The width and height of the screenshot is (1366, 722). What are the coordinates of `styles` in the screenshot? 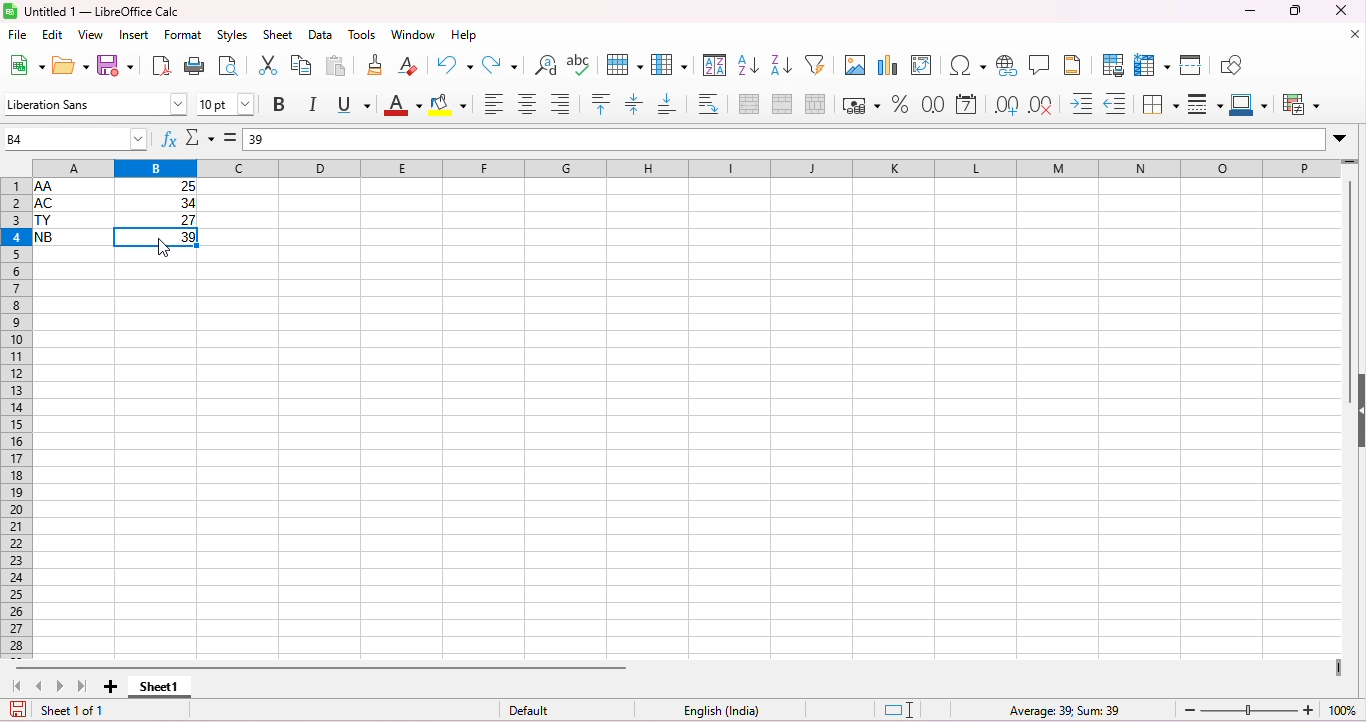 It's located at (236, 37).